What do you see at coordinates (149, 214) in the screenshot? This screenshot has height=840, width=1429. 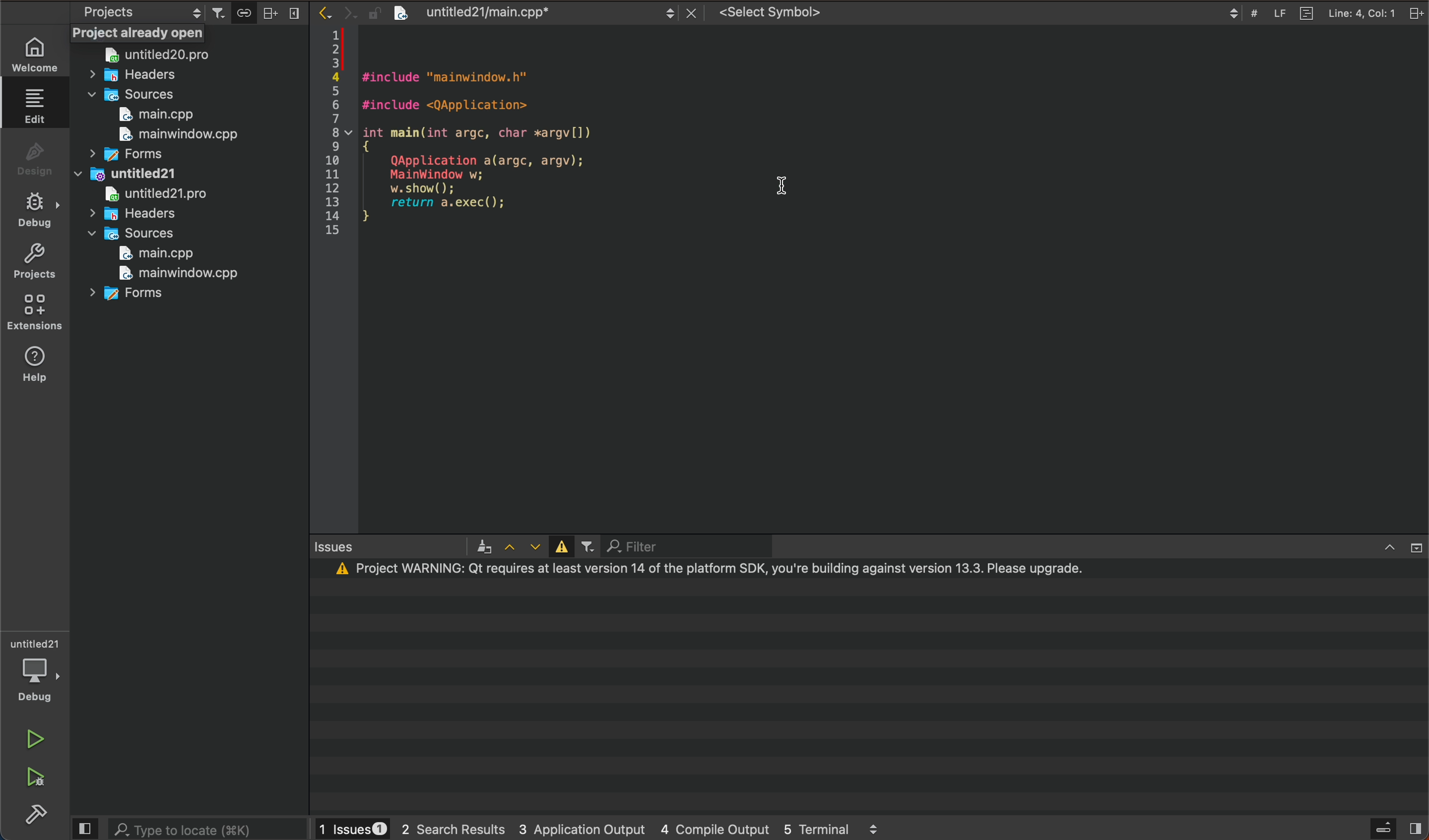 I see `headers` at bounding box center [149, 214].